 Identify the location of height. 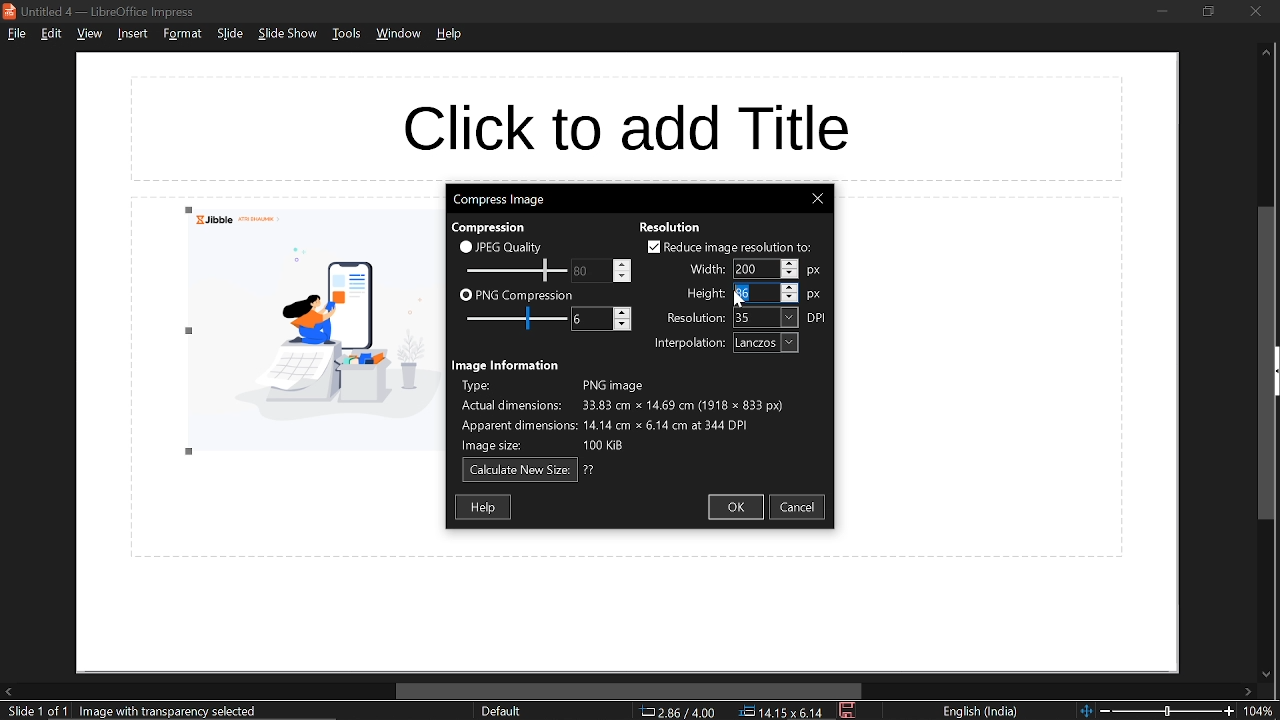
(700, 292).